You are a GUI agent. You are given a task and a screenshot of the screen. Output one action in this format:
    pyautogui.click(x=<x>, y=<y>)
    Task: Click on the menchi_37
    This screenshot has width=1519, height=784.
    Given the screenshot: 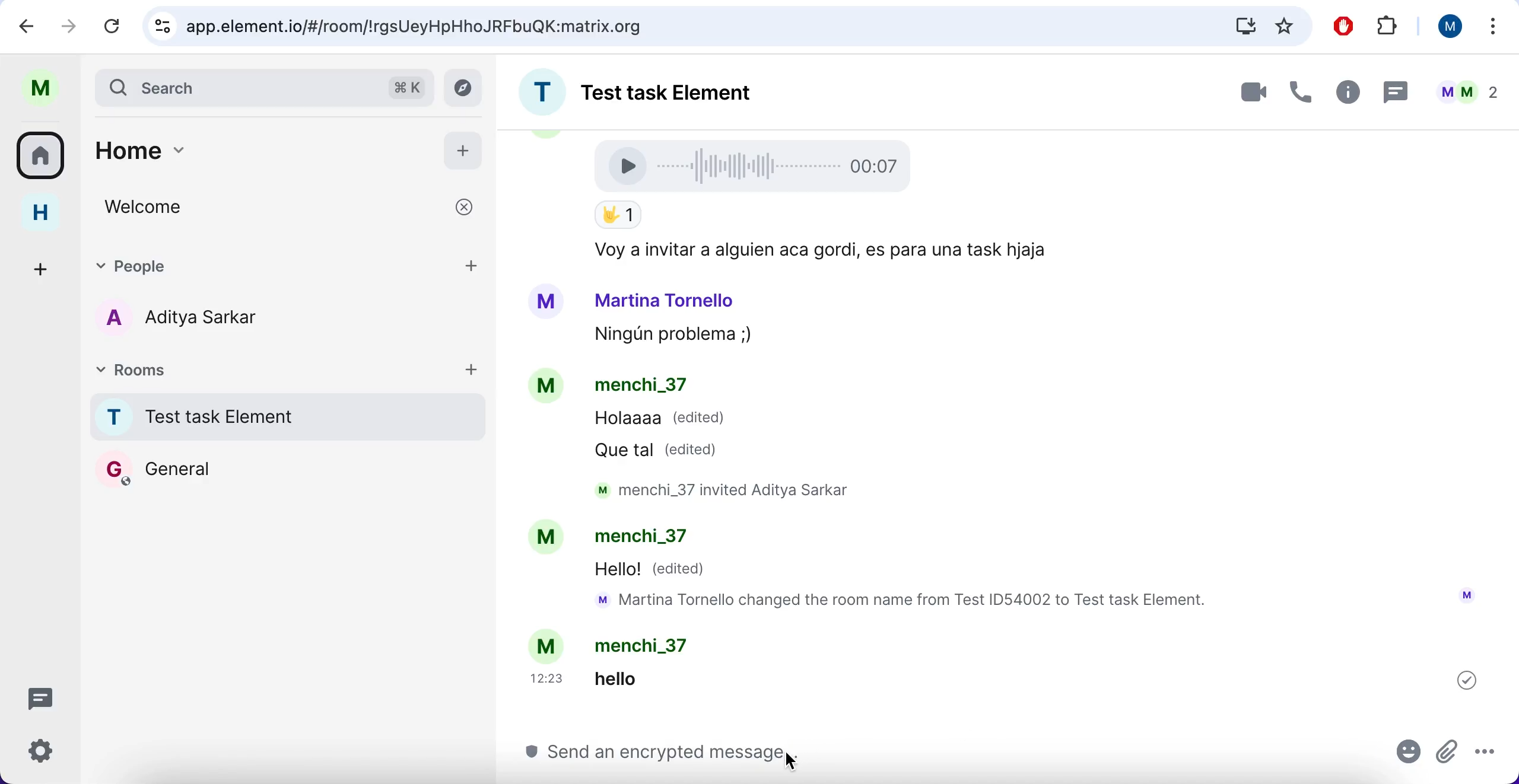 What is the action you would take?
    pyautogui.click(x=651, y=539)
    